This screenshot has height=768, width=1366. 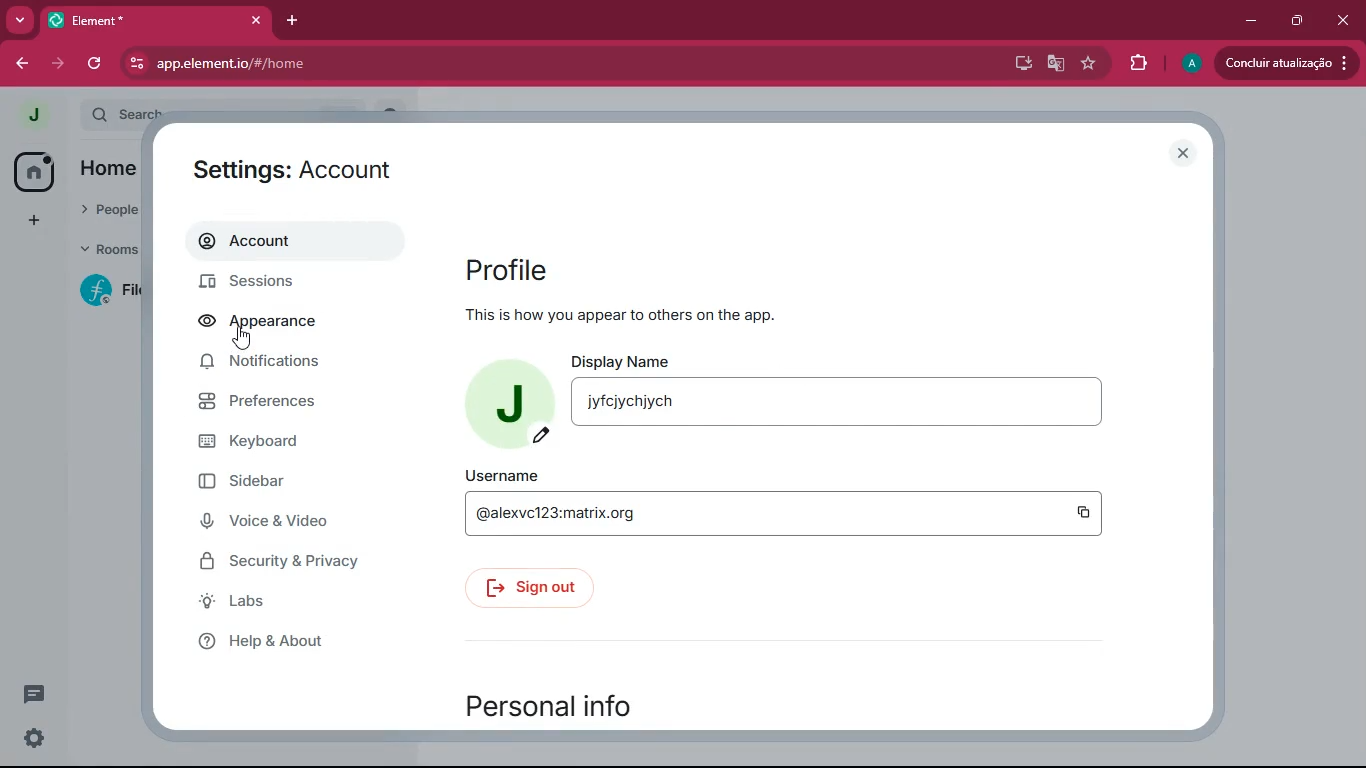 I want to click on home, so click(x=34, y=171).